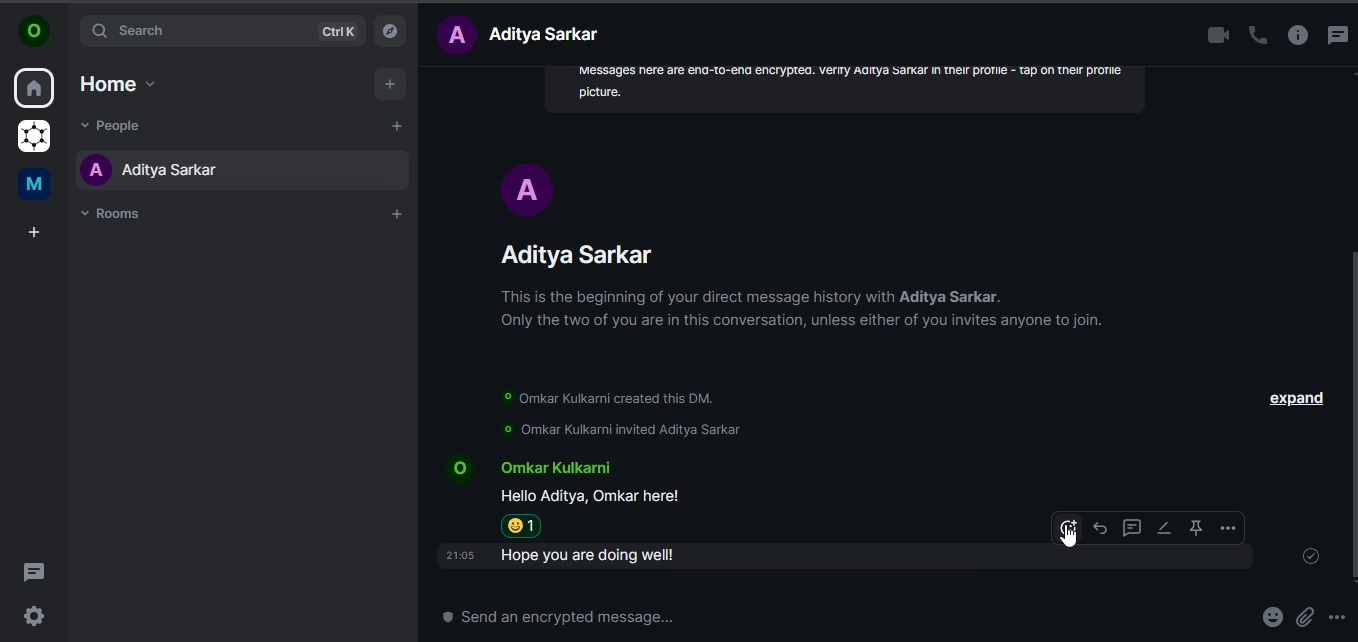 The image size is (1358, 642). What do you see at coordinates (524, 34) in the screenshot?
I see `text` at bounding box center [524, 34].